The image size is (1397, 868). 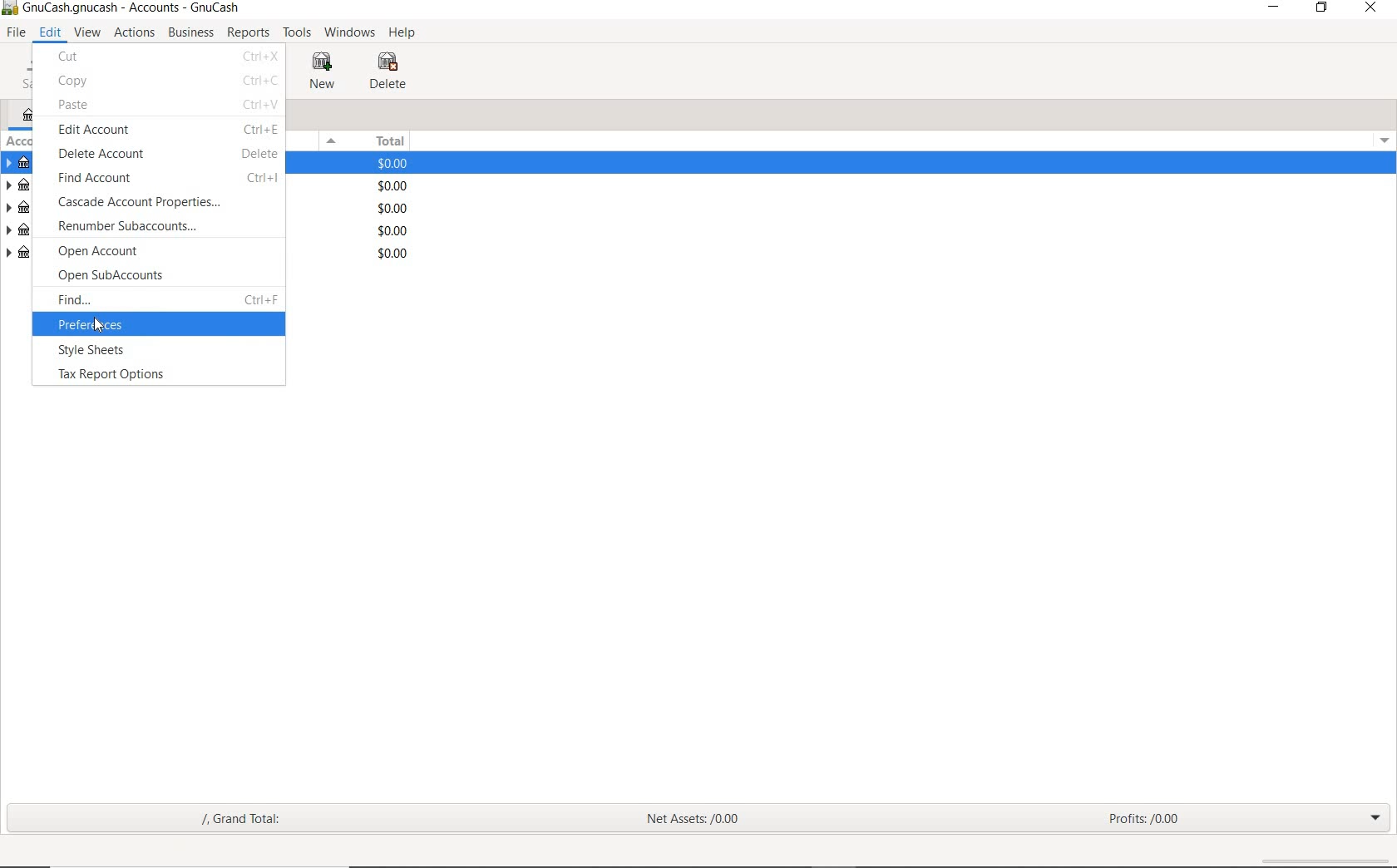 What do you see at coordinates (392, 71) in the screenshot?
I see `DELETE` at bounding box center [392, 71].